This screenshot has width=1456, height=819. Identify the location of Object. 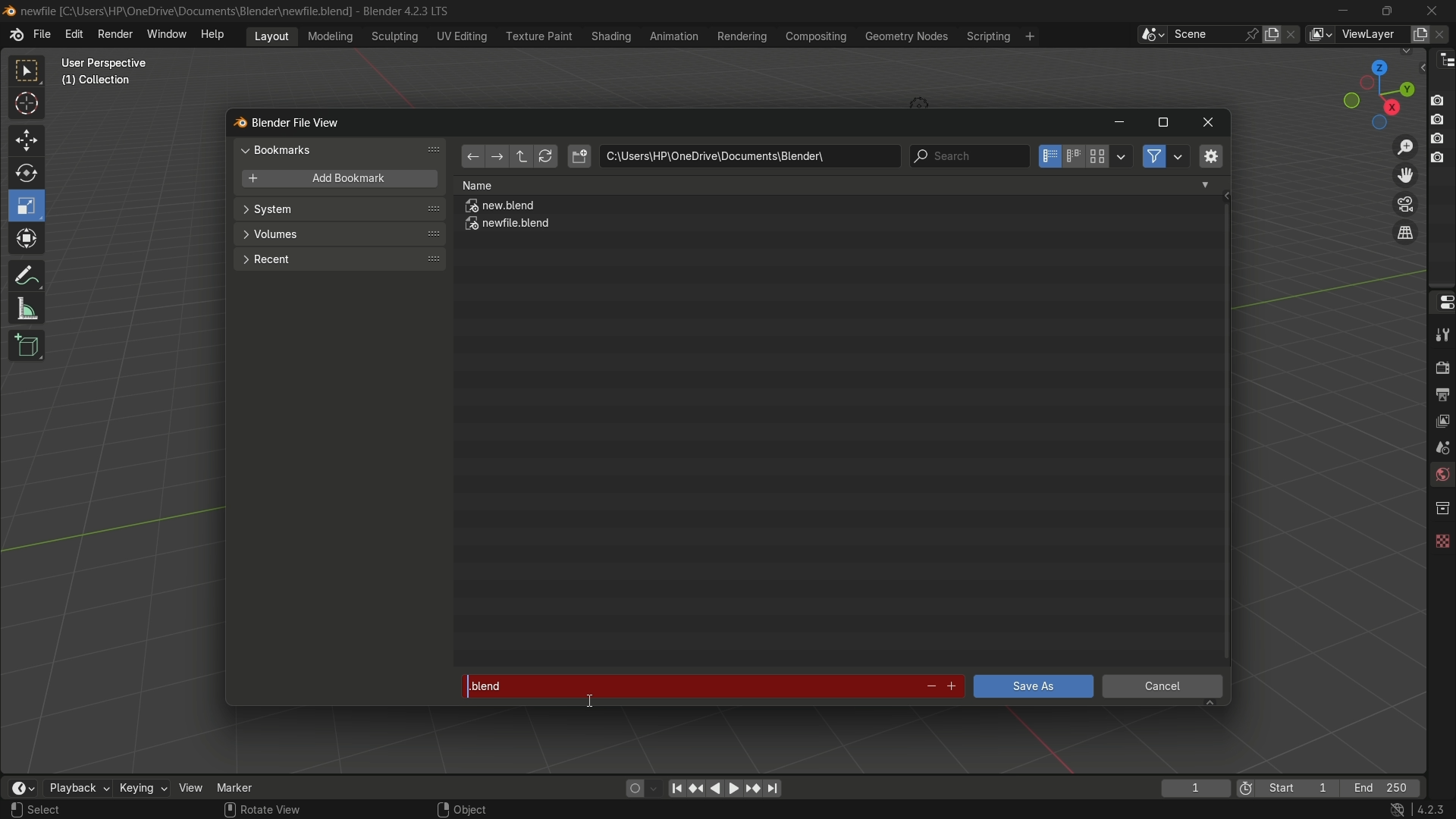
(480, 805).